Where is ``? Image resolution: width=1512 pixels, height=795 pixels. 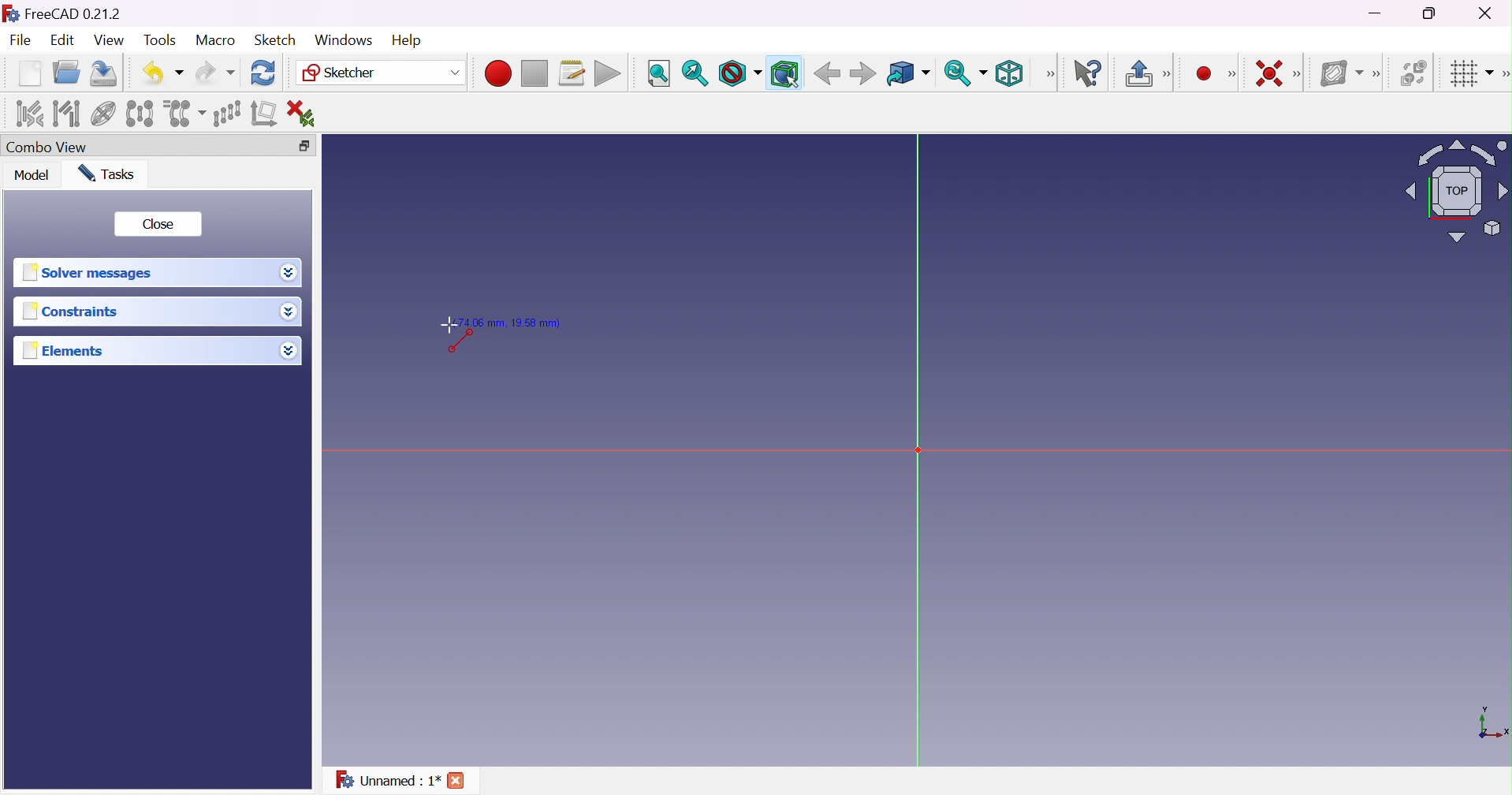
 is located at coordinates (1138, 73).